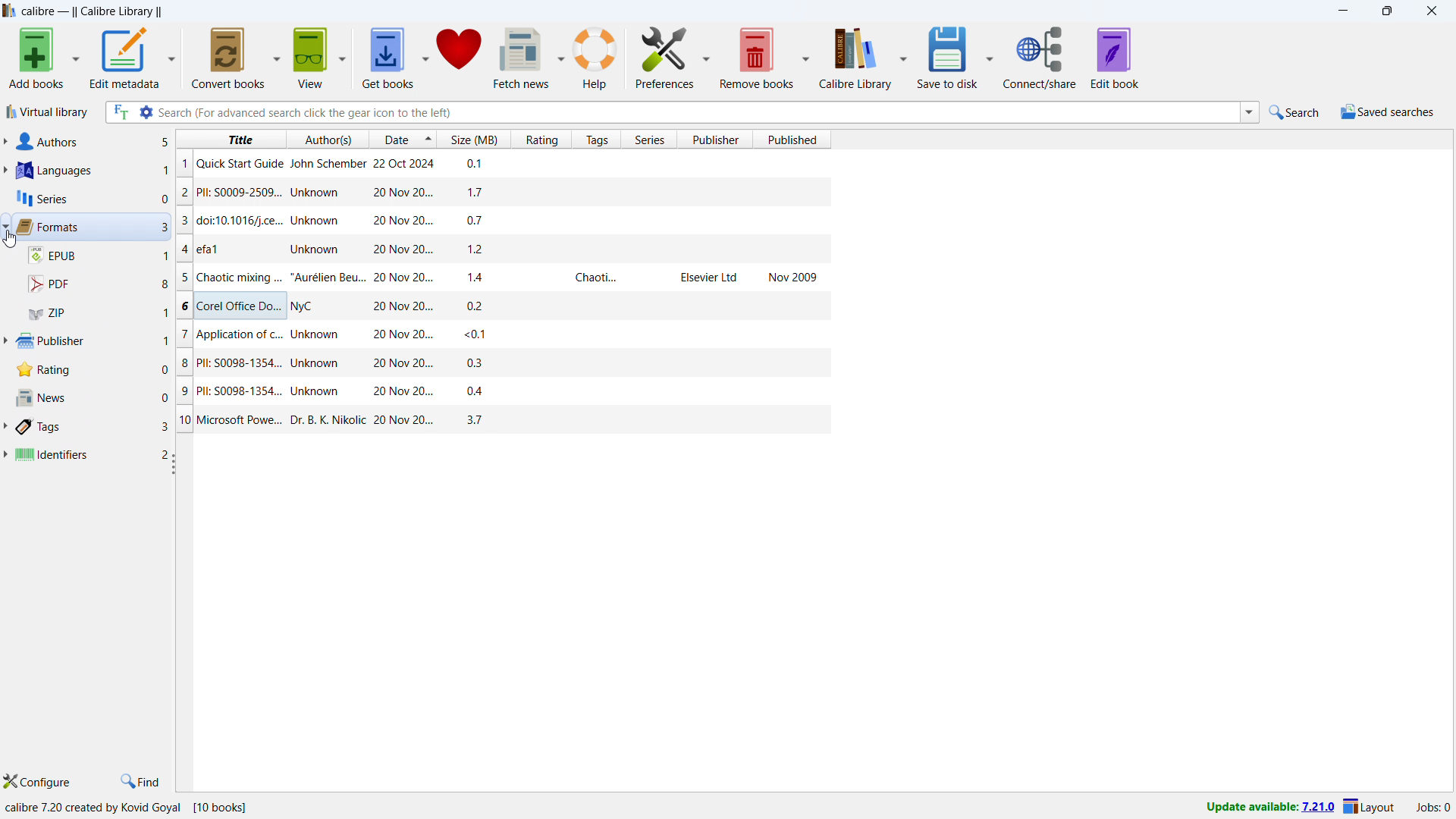 The image size is (1456, 819). What do you see at coordinates (326, 138) in the screenshot?
I see `sort by author` at bounding box center [326, 138].